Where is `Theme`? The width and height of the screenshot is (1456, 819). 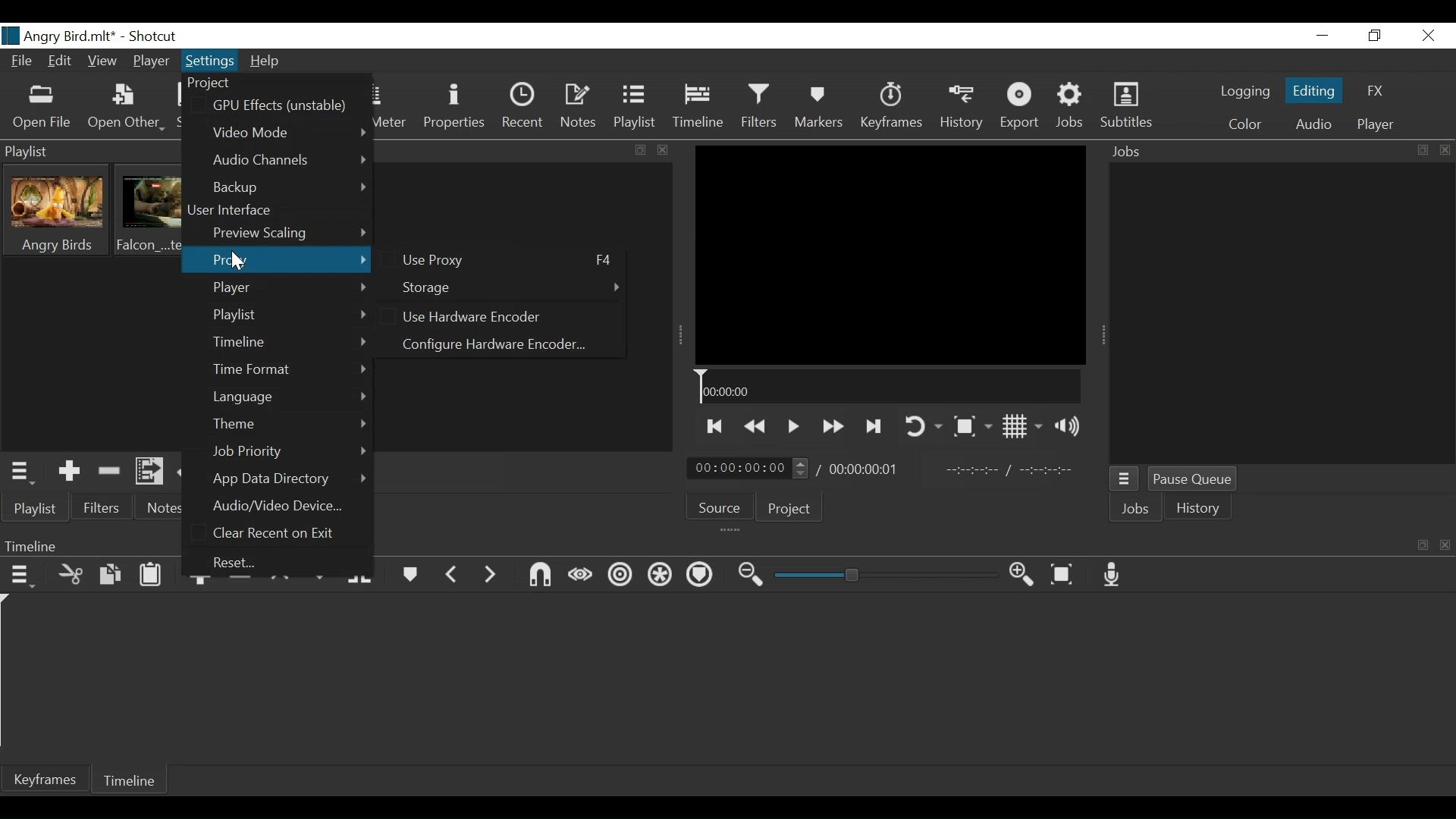
Theme is located at coordinates (290, 424).